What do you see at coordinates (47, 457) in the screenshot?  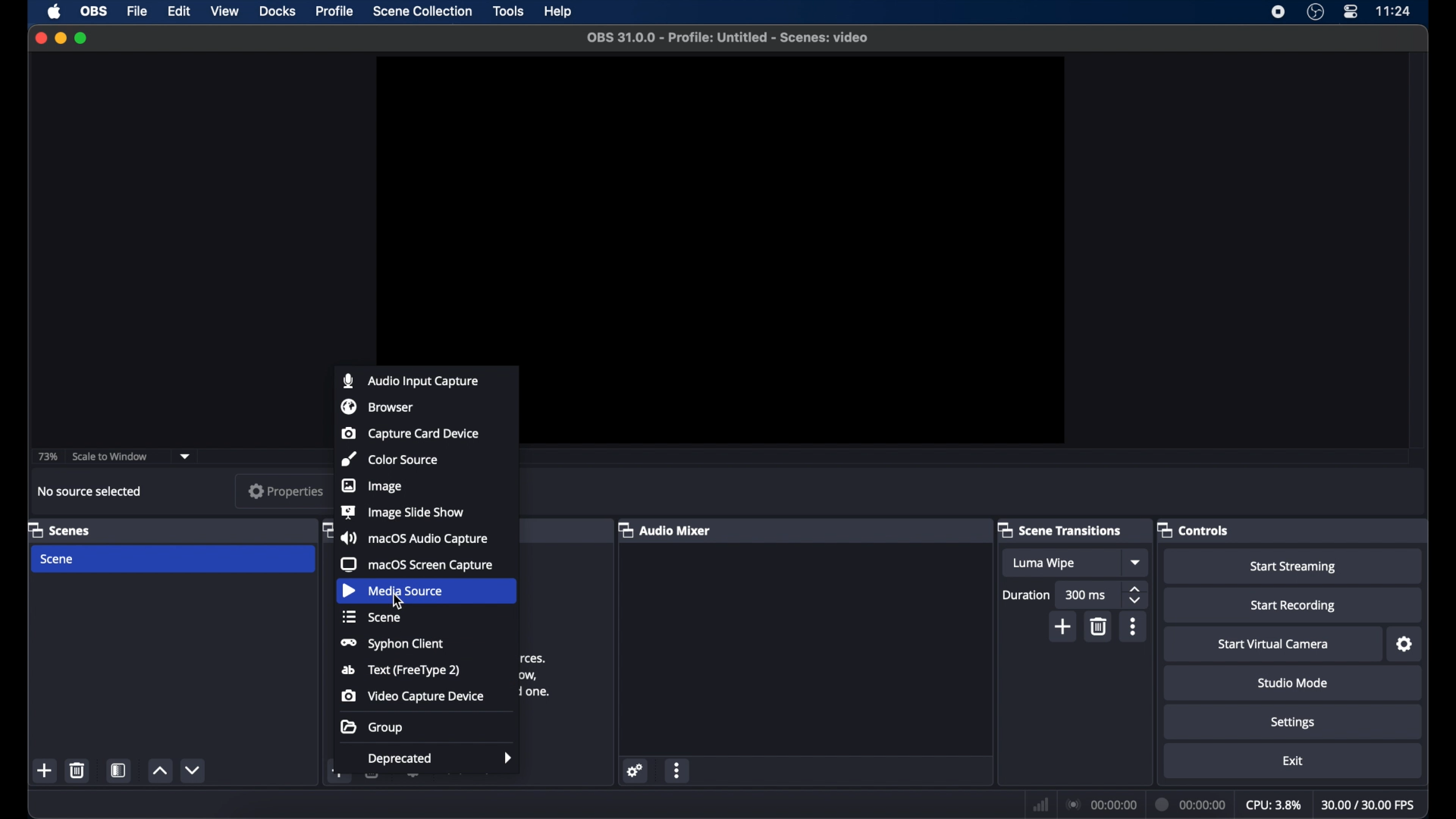 I see `73%` at bounding box center [47, 457].